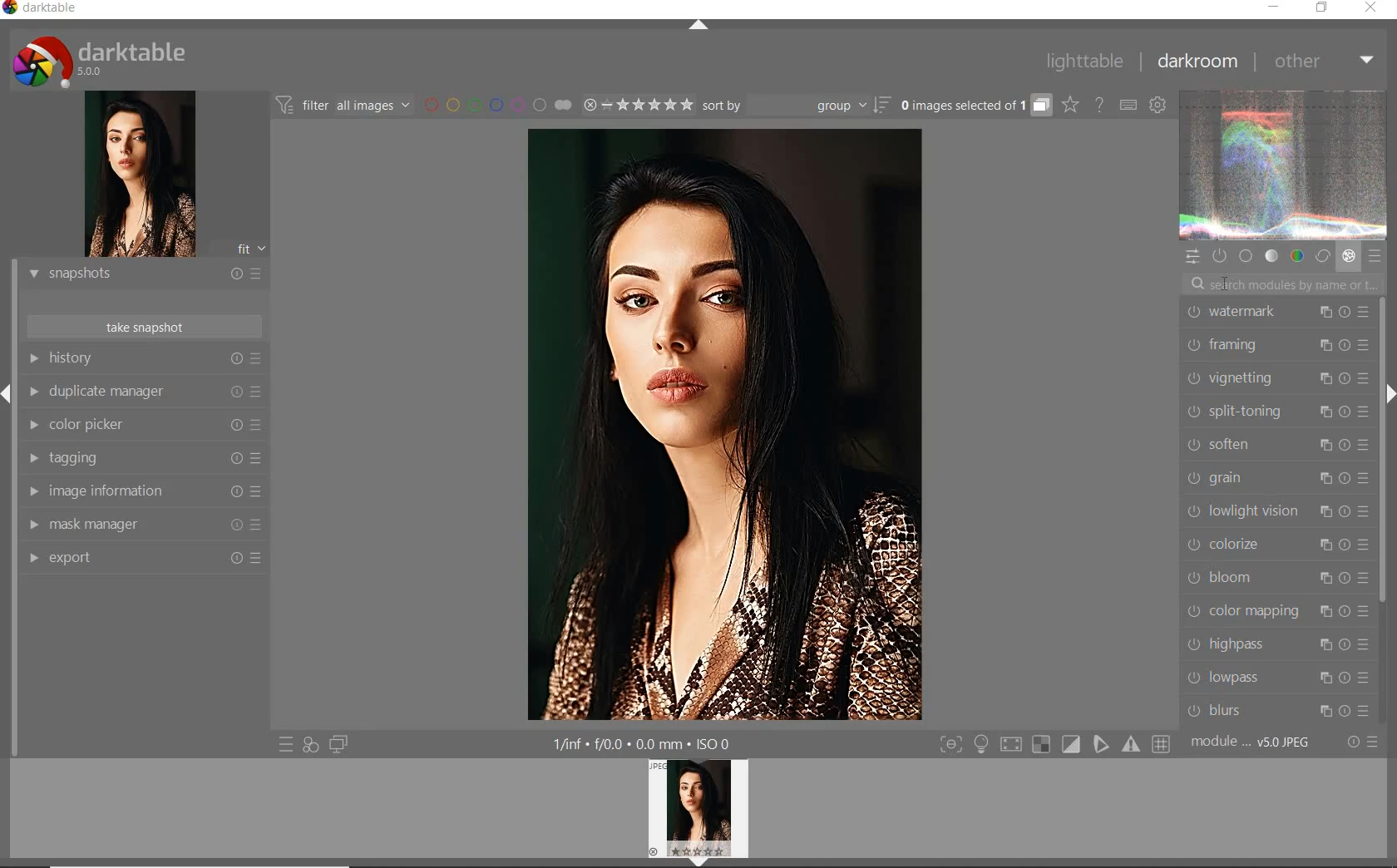 The width and height of the screenshot is (1397, 868). I want to click on COLOR PICKER, so click(142, 427).